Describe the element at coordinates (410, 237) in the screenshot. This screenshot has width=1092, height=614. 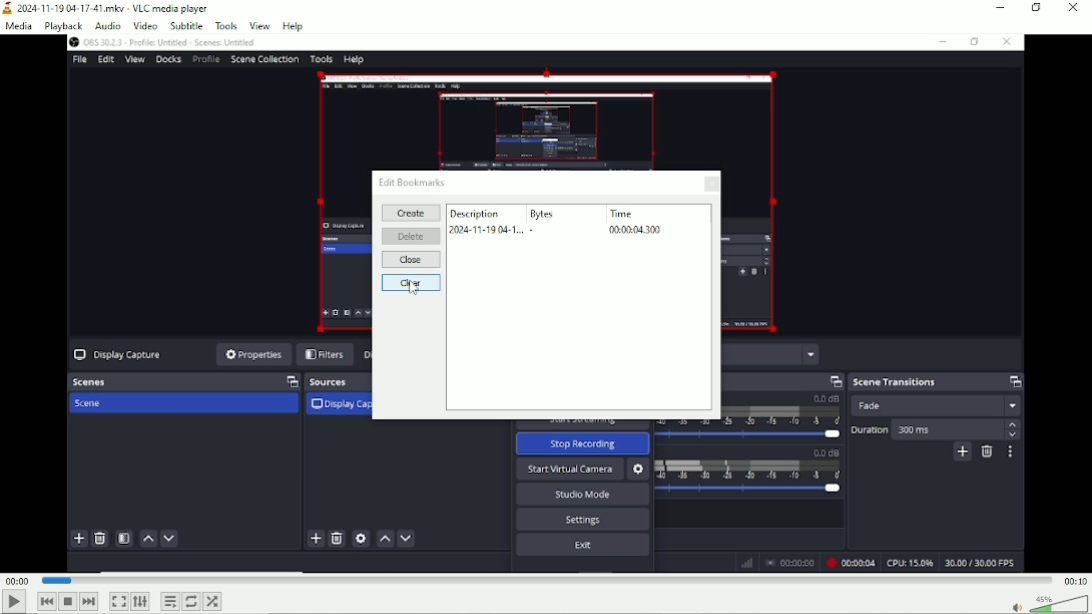
I see `Delete` at that location.